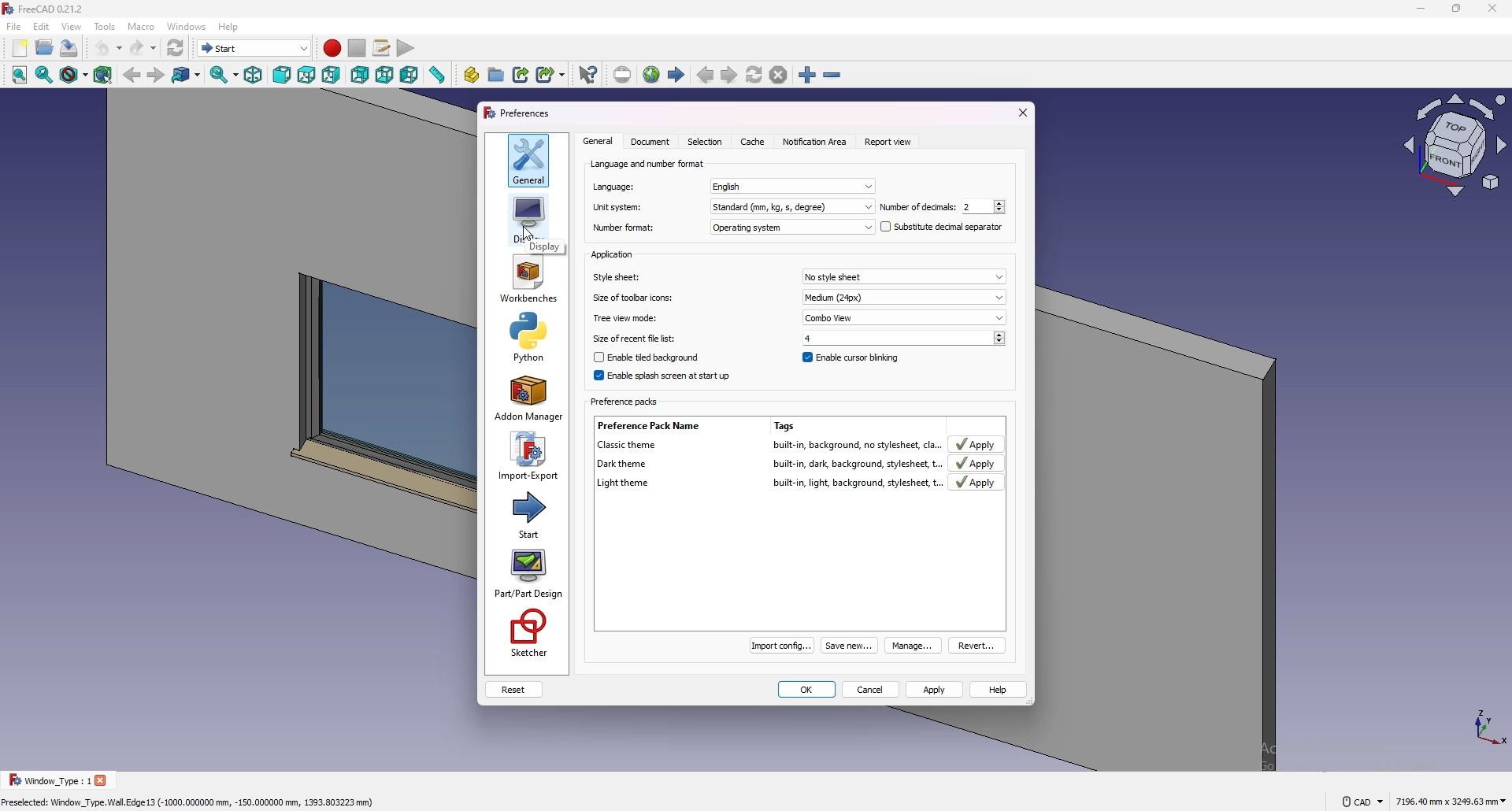 This screenshot has width=1512, height=811. I want to click on enable splash screen at start up, so click(661, 375).